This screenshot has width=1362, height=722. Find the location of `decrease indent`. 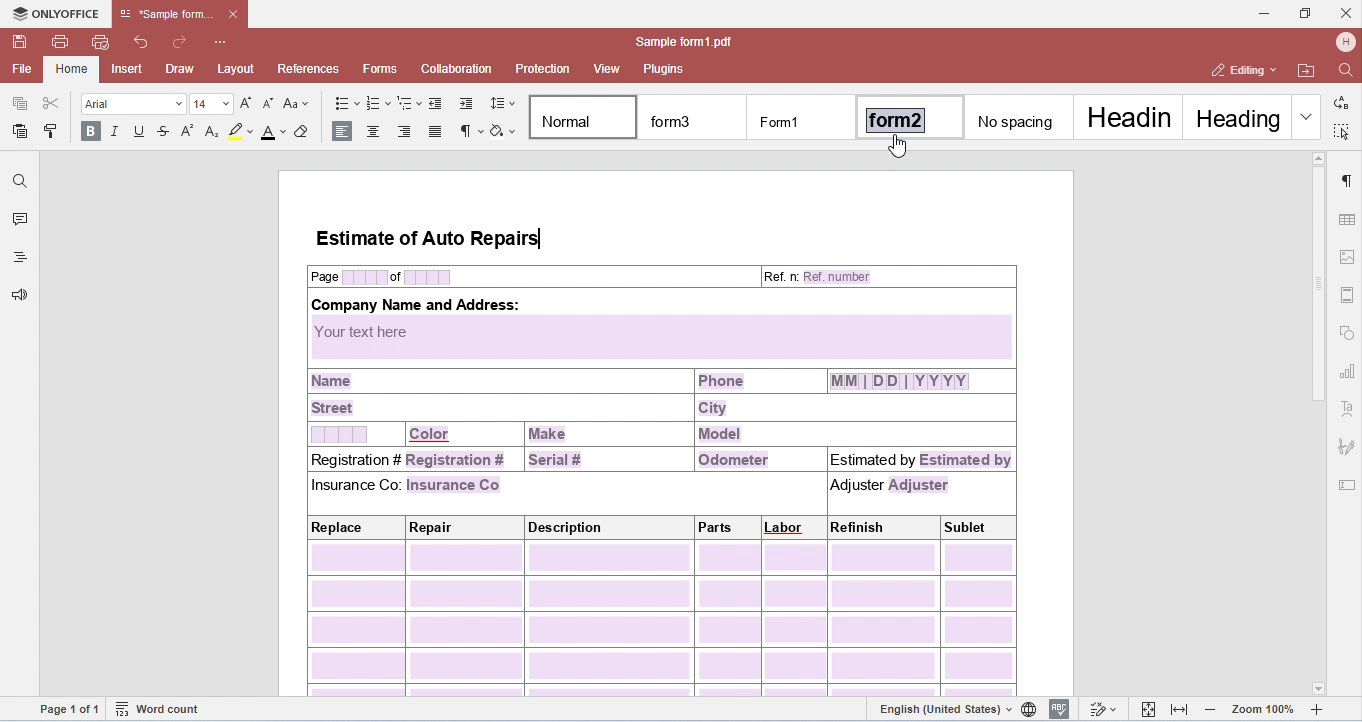

decrease indent is located at coordinates (437, 104).